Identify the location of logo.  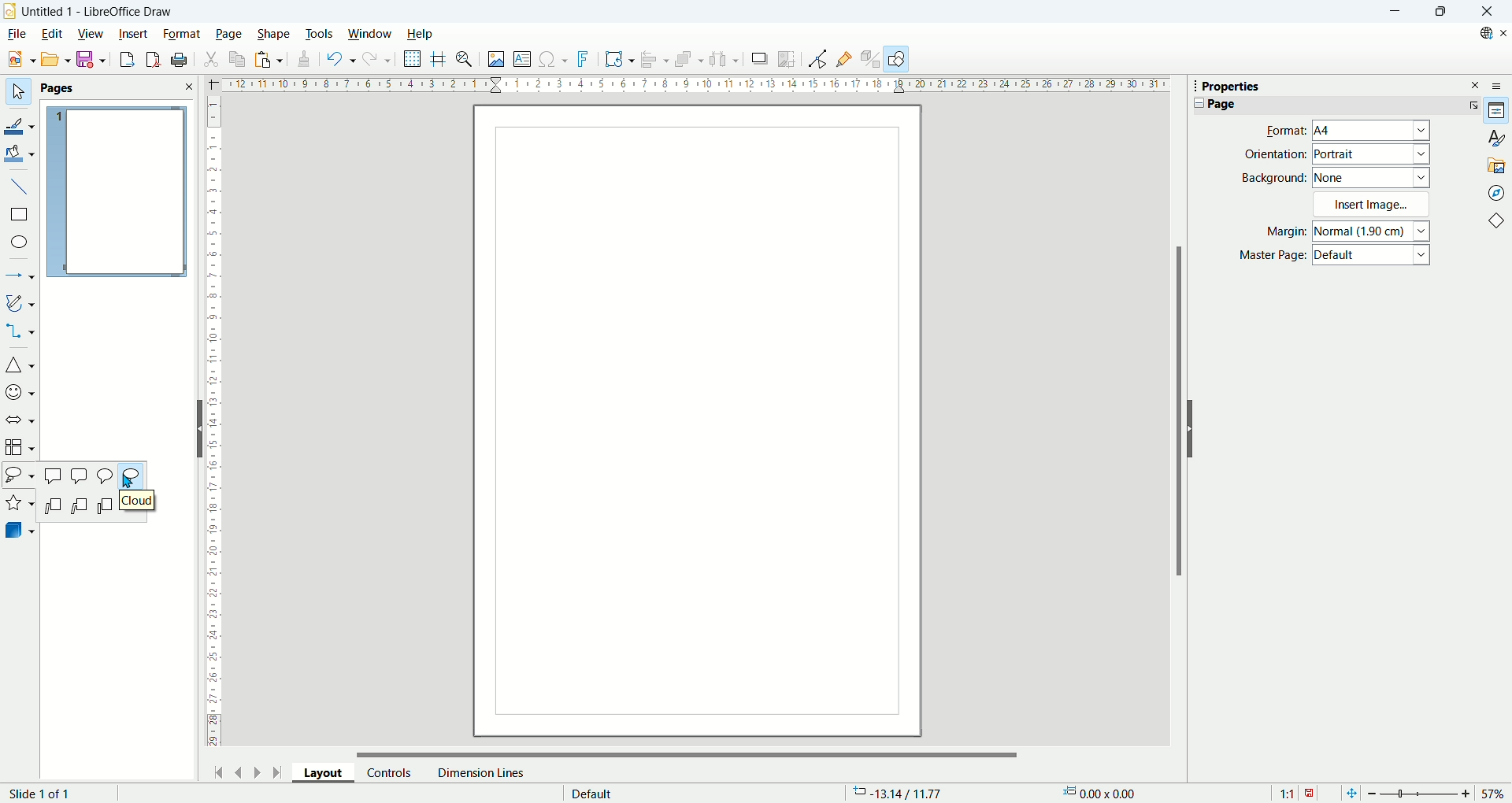
(10, 10).